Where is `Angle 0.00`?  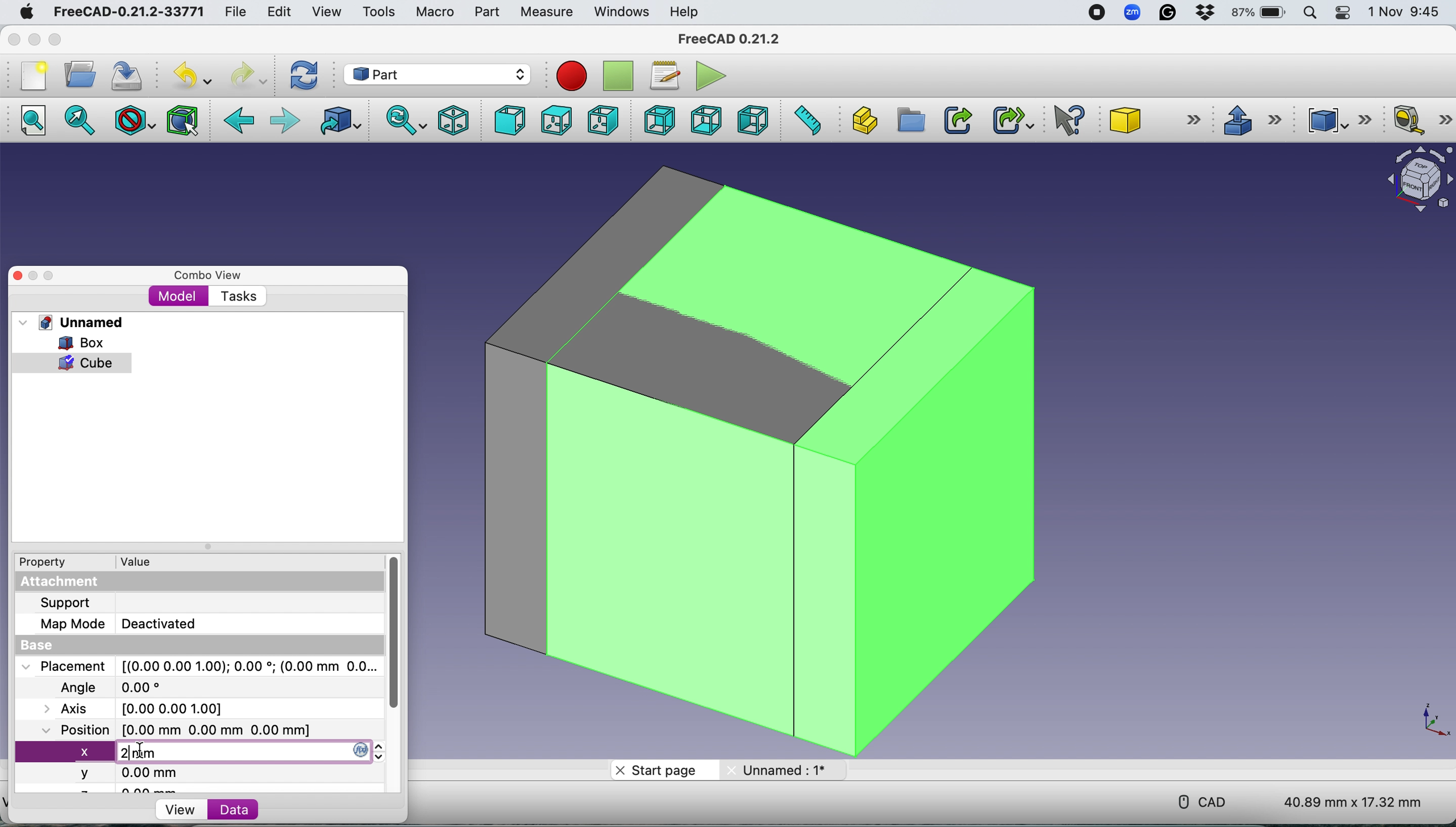
Angle 0.00 is located at coordinates (119, 688).